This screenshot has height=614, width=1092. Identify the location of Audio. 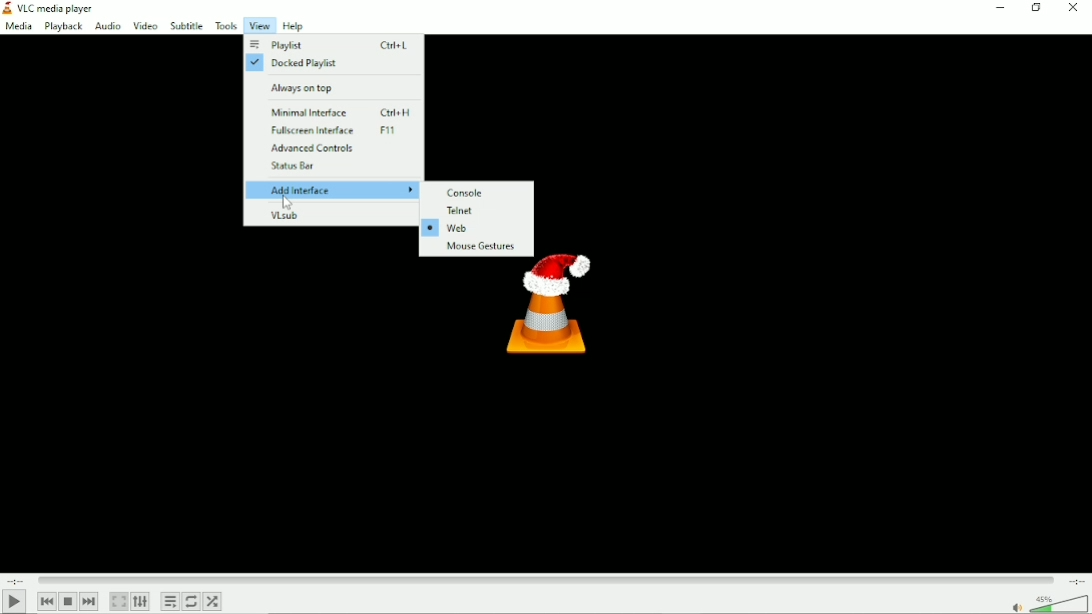
(106, 27).